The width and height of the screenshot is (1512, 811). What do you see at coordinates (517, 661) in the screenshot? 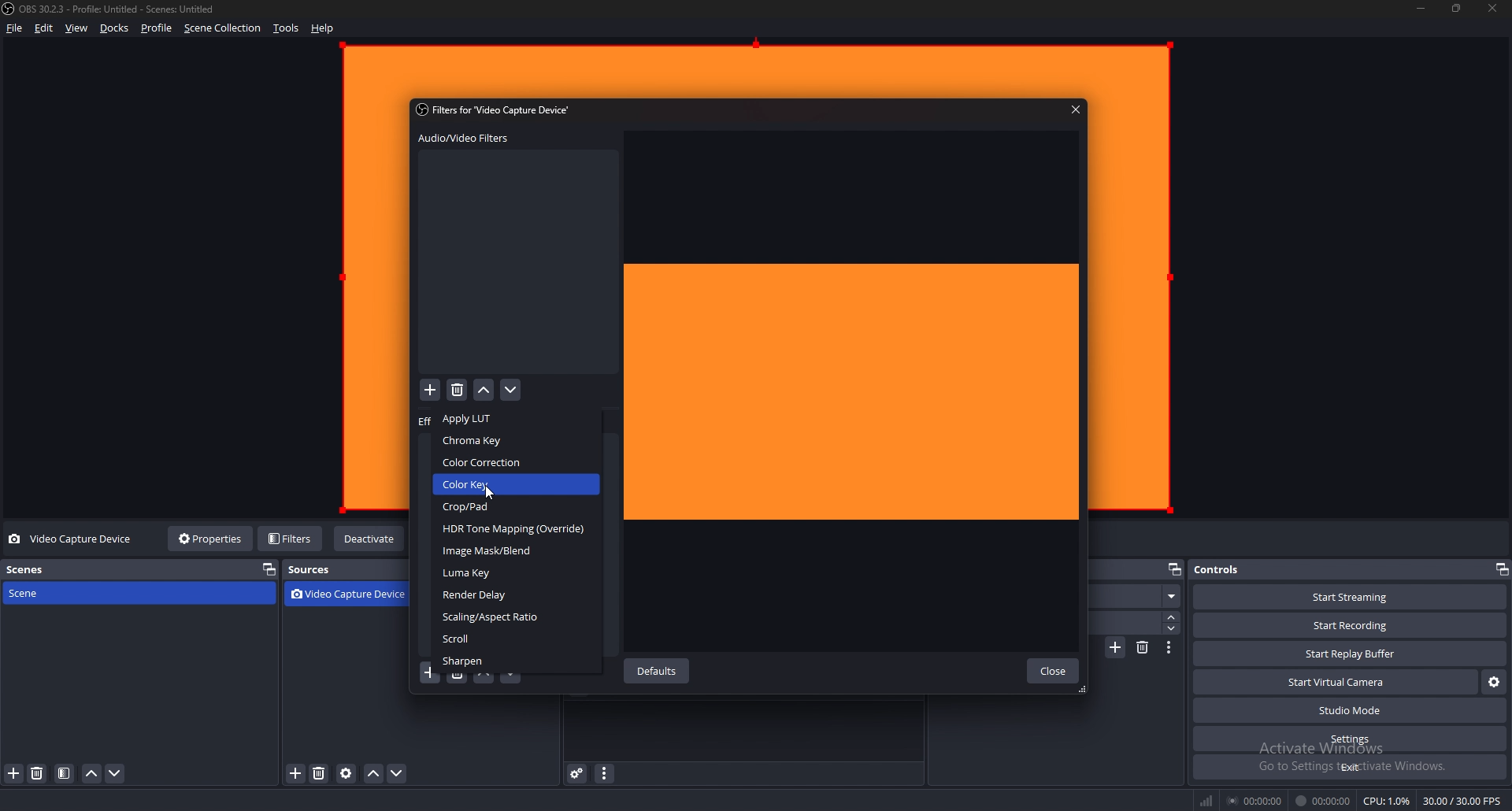
I see `sharpen` at bounding box center [517, 661].